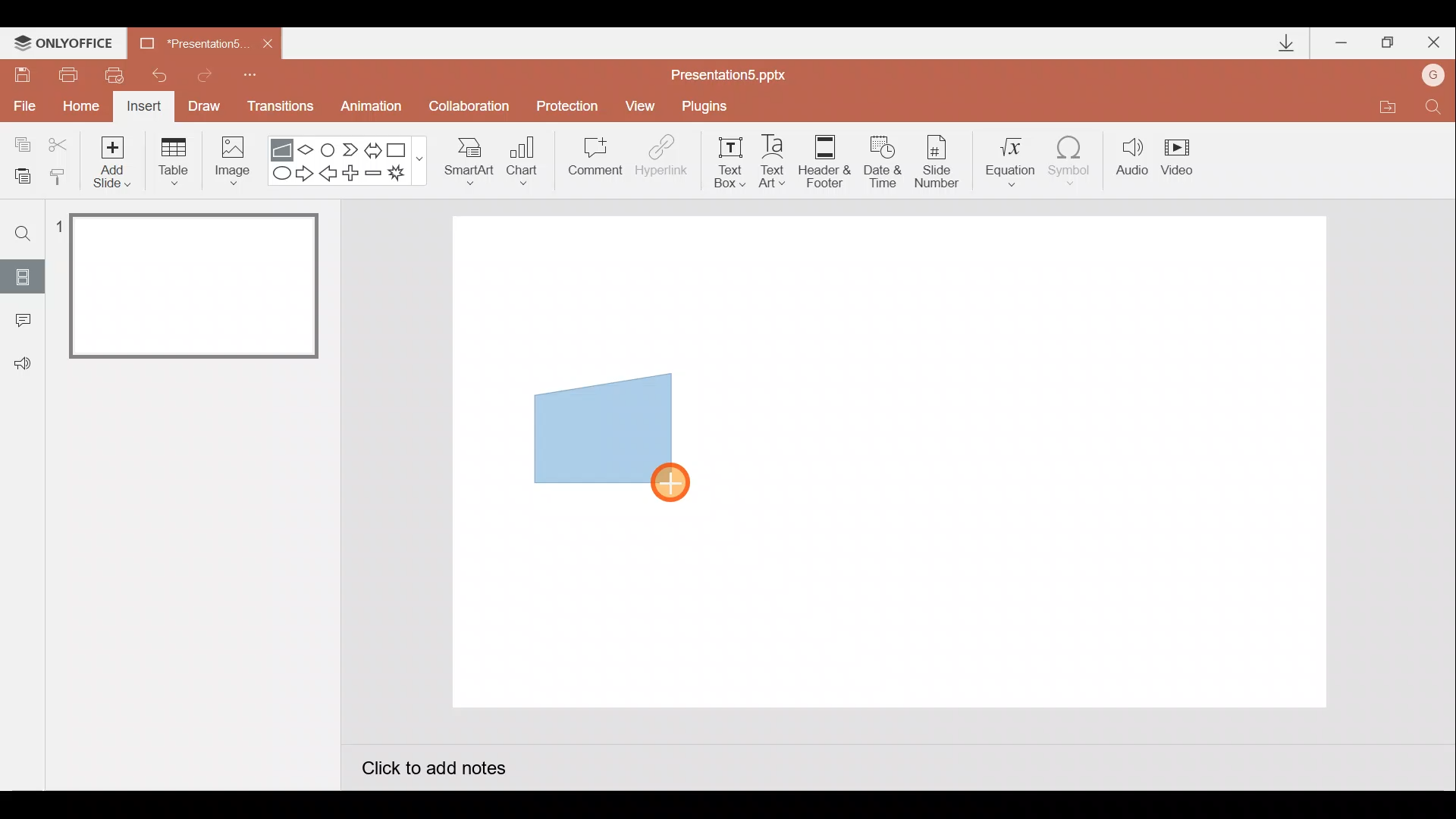 This screenshot has width=1456, height=819. I want to click on Downloads, so click(1284, 44).